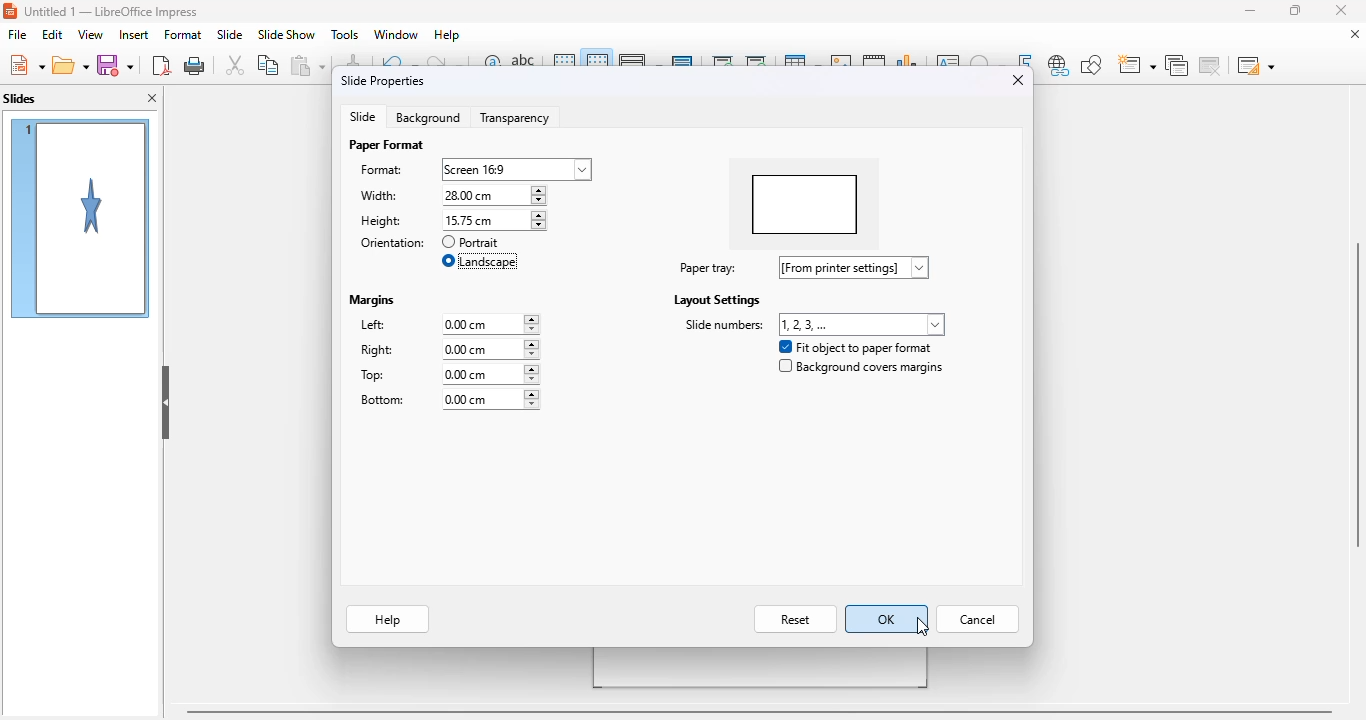  I want to click on horizontal scroll bar, so click(762, 710).